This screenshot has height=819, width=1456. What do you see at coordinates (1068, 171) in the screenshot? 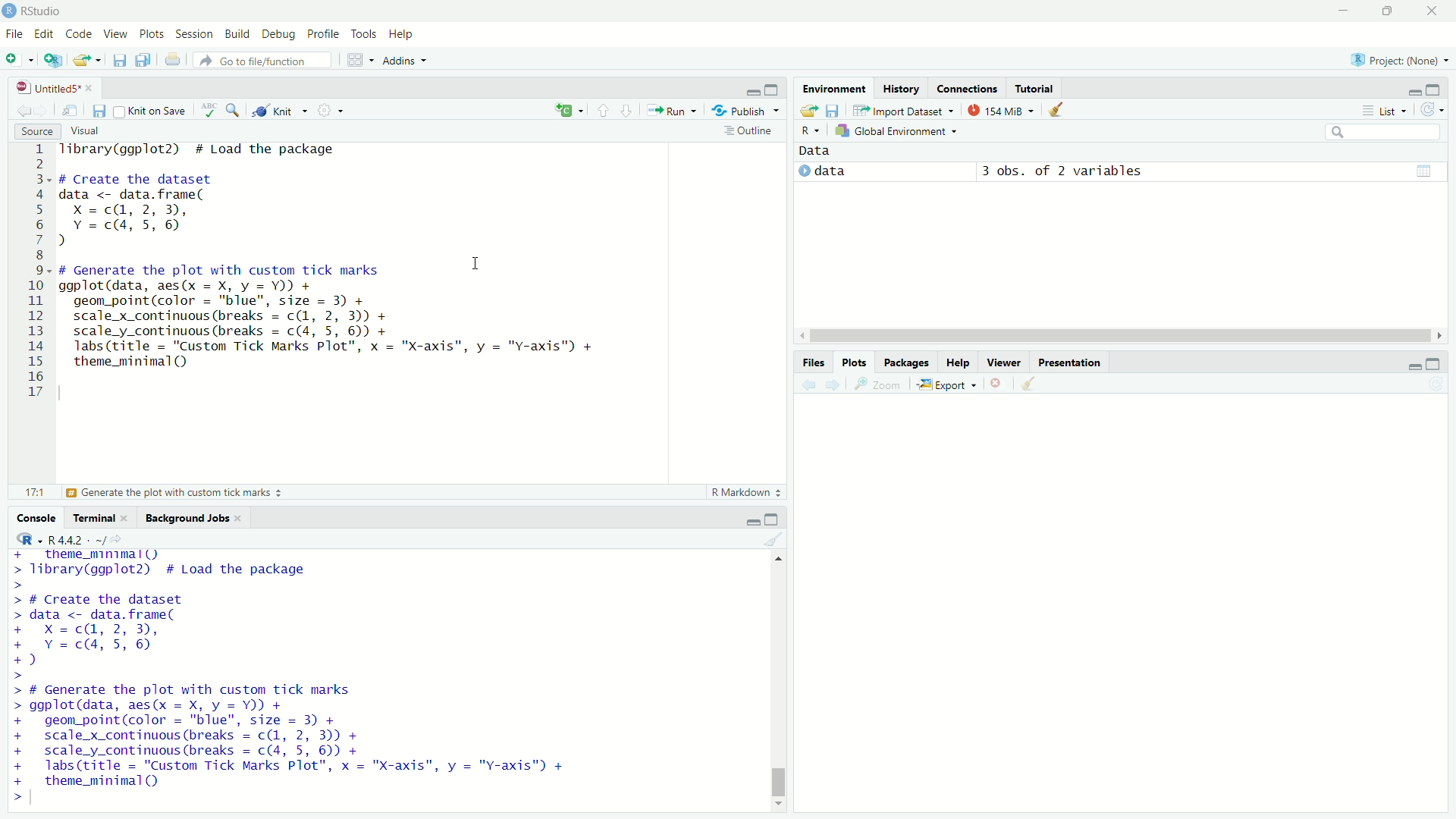
I see `3 obs. of 2 variables` at bounding box center [1068, 171].